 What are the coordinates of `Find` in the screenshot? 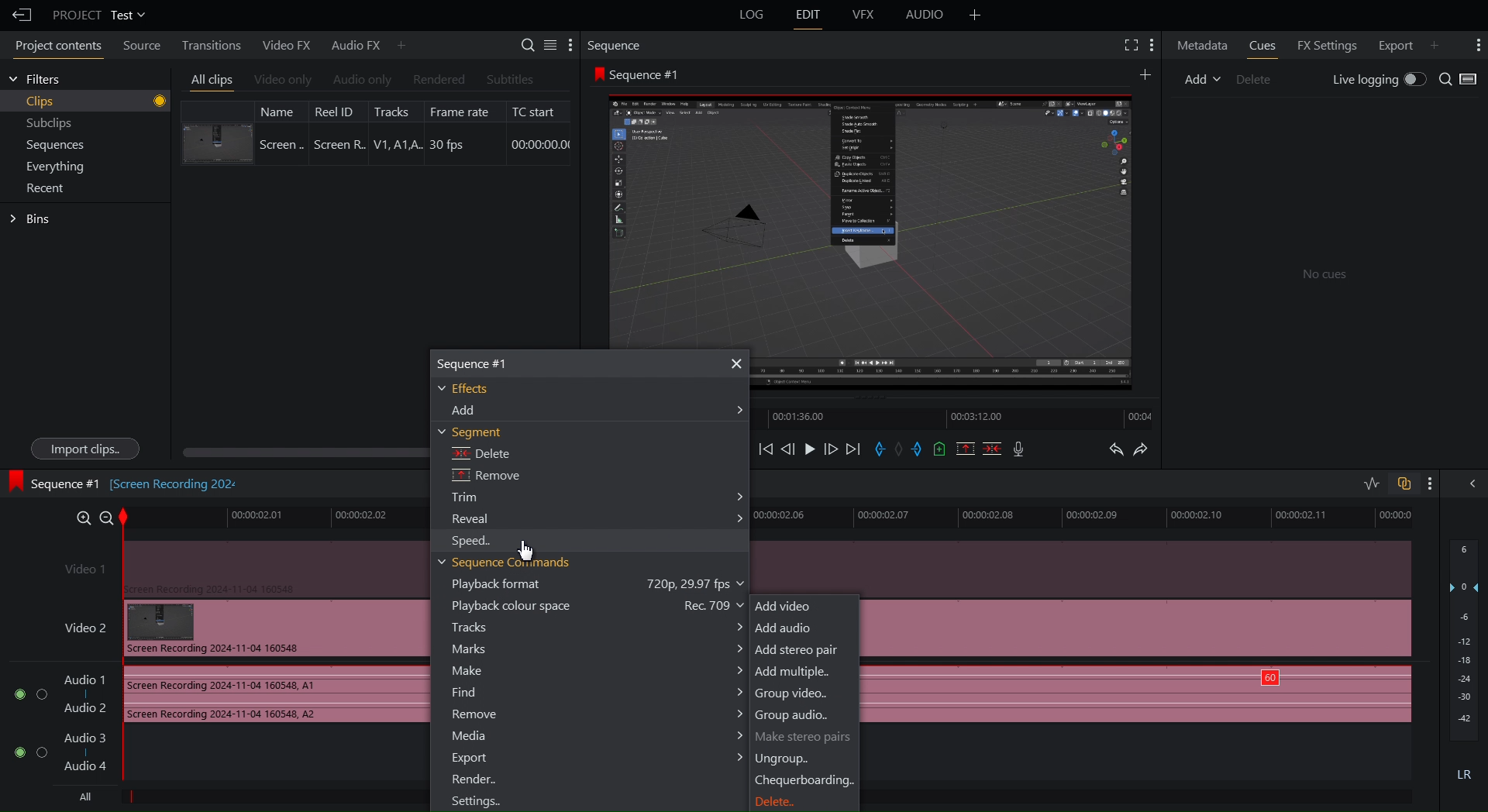 It's located at (595, 693).